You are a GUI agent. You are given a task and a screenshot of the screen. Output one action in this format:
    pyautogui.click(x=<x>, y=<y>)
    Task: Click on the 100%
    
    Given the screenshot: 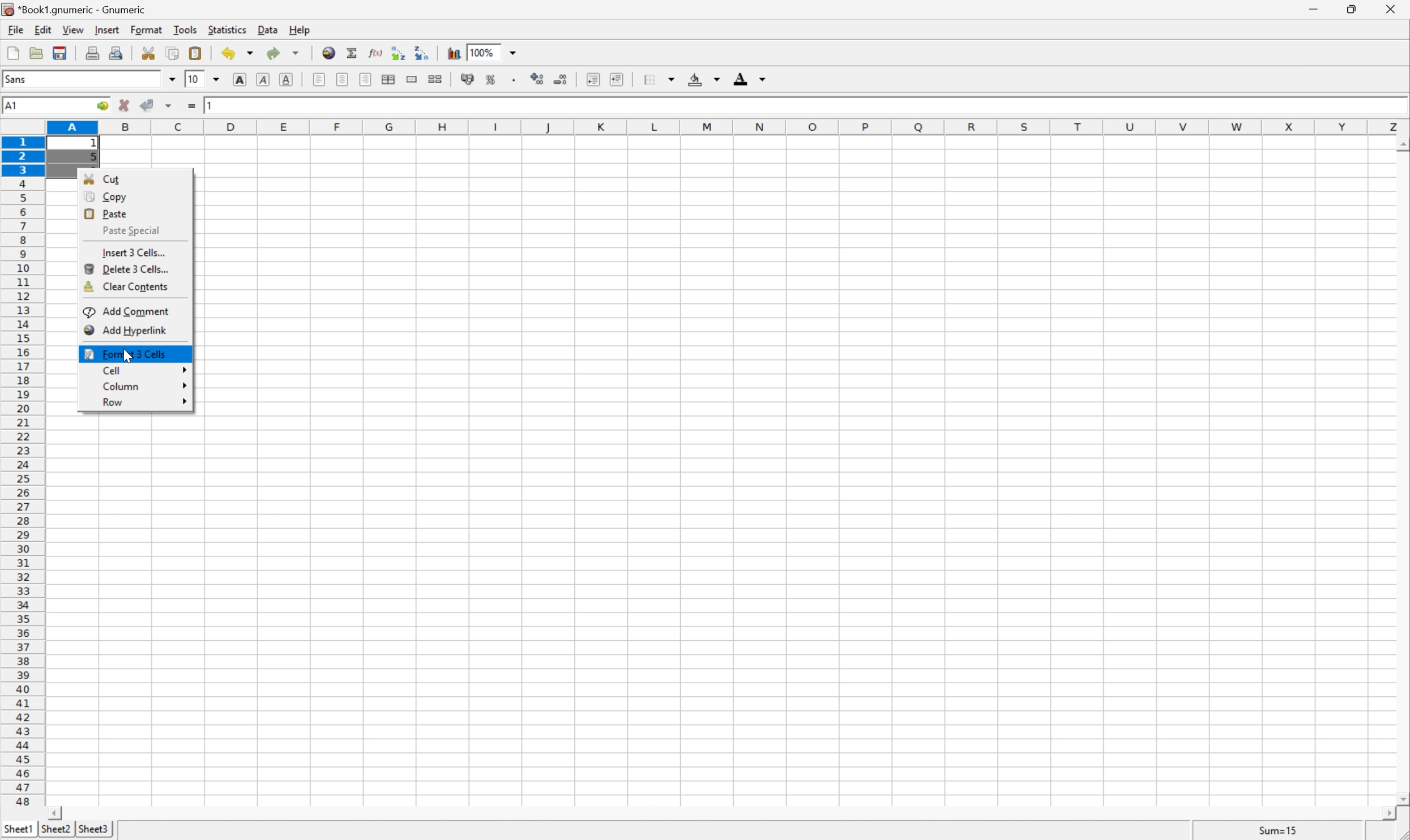 What is the action you would take?
    pyautogui.click(x=481, y=52)
    